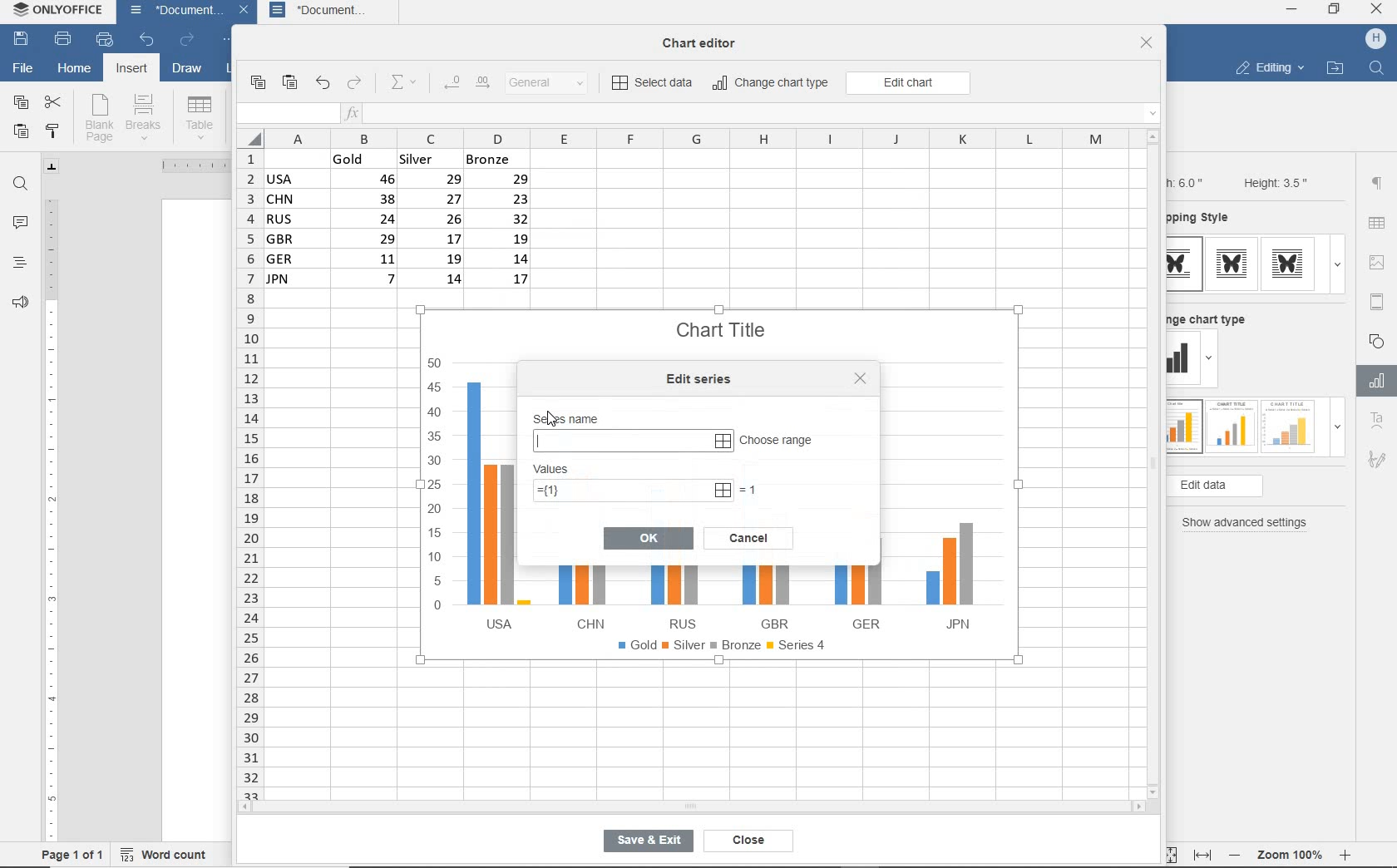  What do you see at coordinates (18, 306) in the screenshot?
I see `feedback & support` at bounding box center [18, 306].